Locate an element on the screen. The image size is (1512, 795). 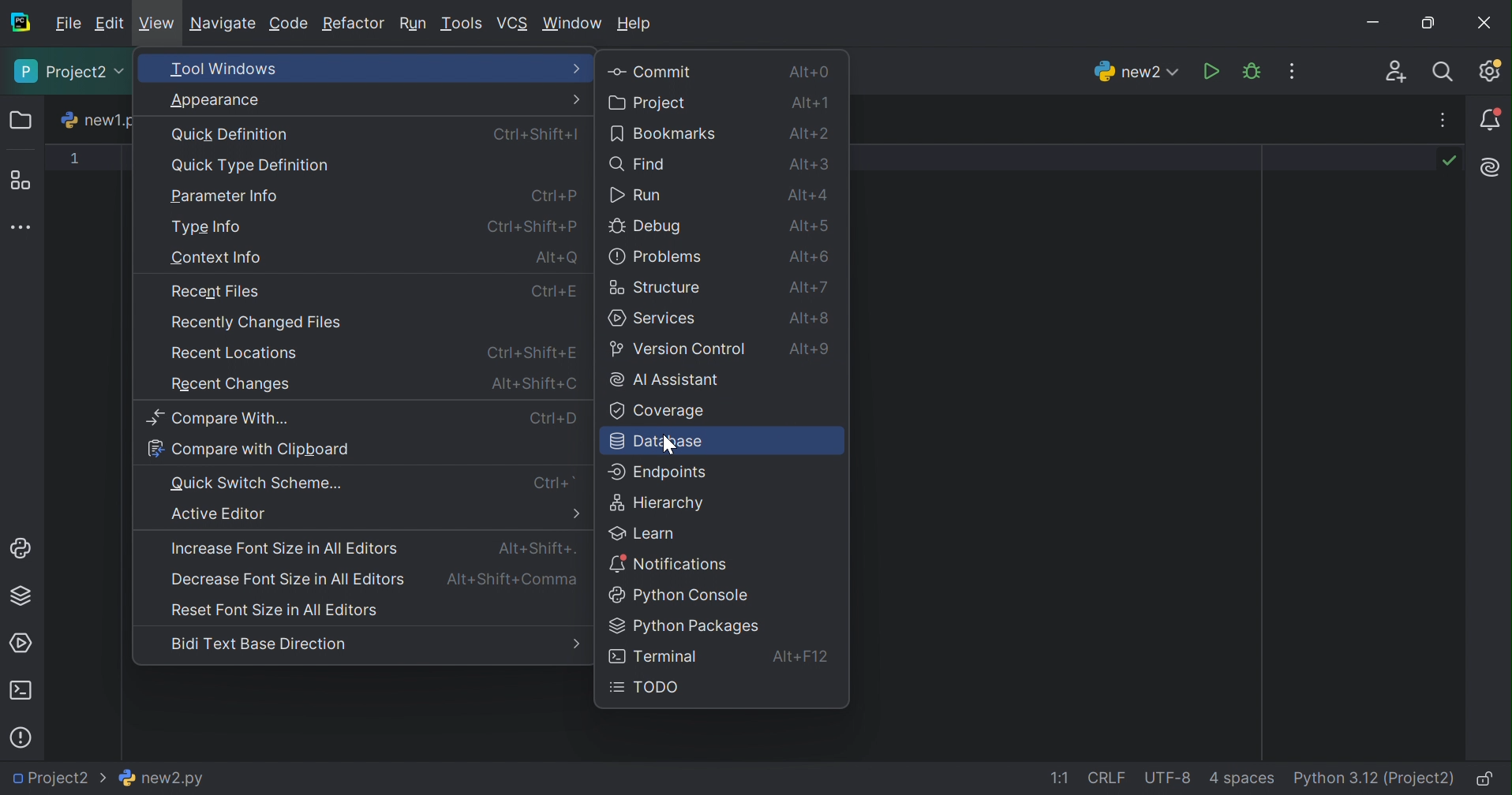
Alt+5 is located at coordinates (812, 226).